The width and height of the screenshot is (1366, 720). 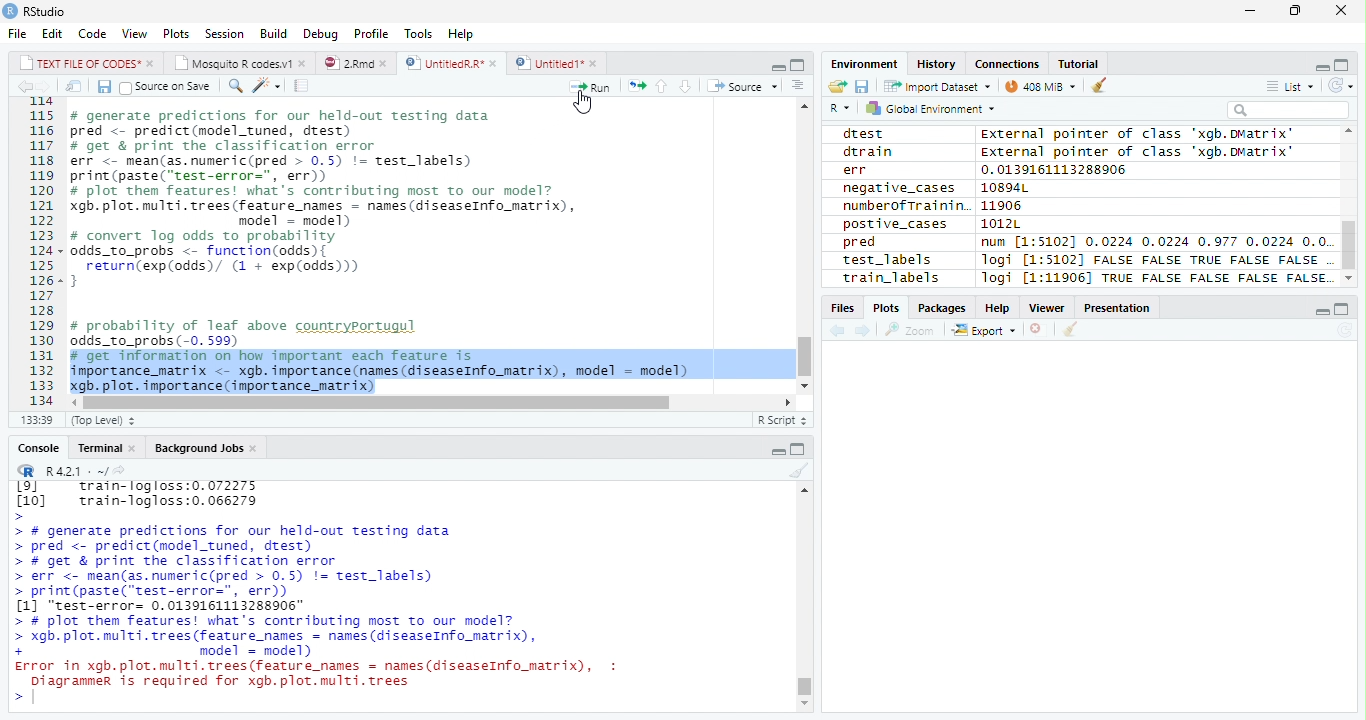 I want to click on Lol train-logloss:0.072275
[10]  train-logloss:0.066279, so click(x=138, y=500).